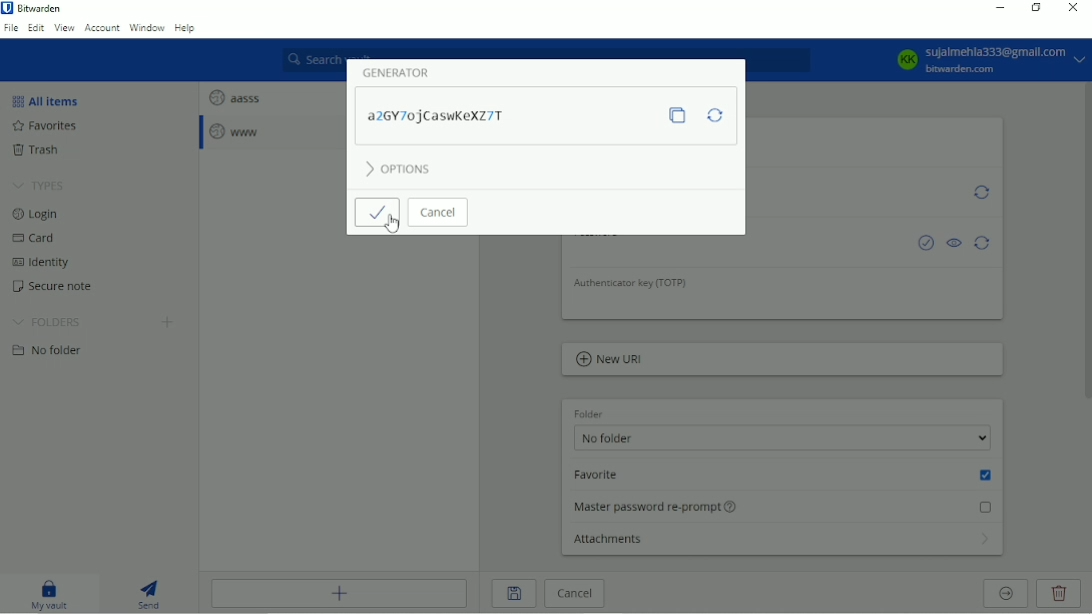 This screenshot has width=1092, height=614. I want to click on No folder, so click(47, 351).